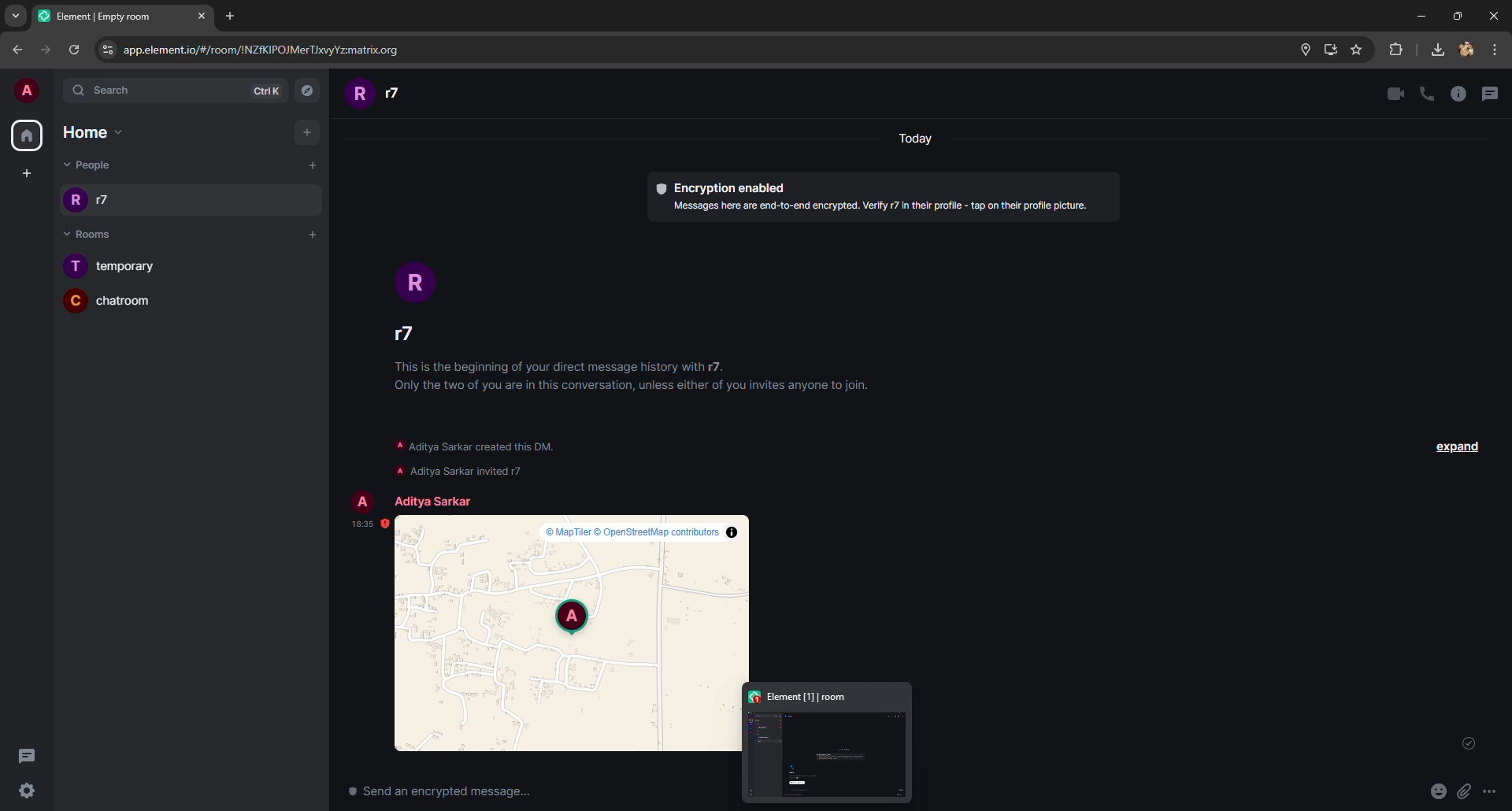  Describe the element at coordinates (29, 137) in the screenshot. I see `all rooms` at that location.